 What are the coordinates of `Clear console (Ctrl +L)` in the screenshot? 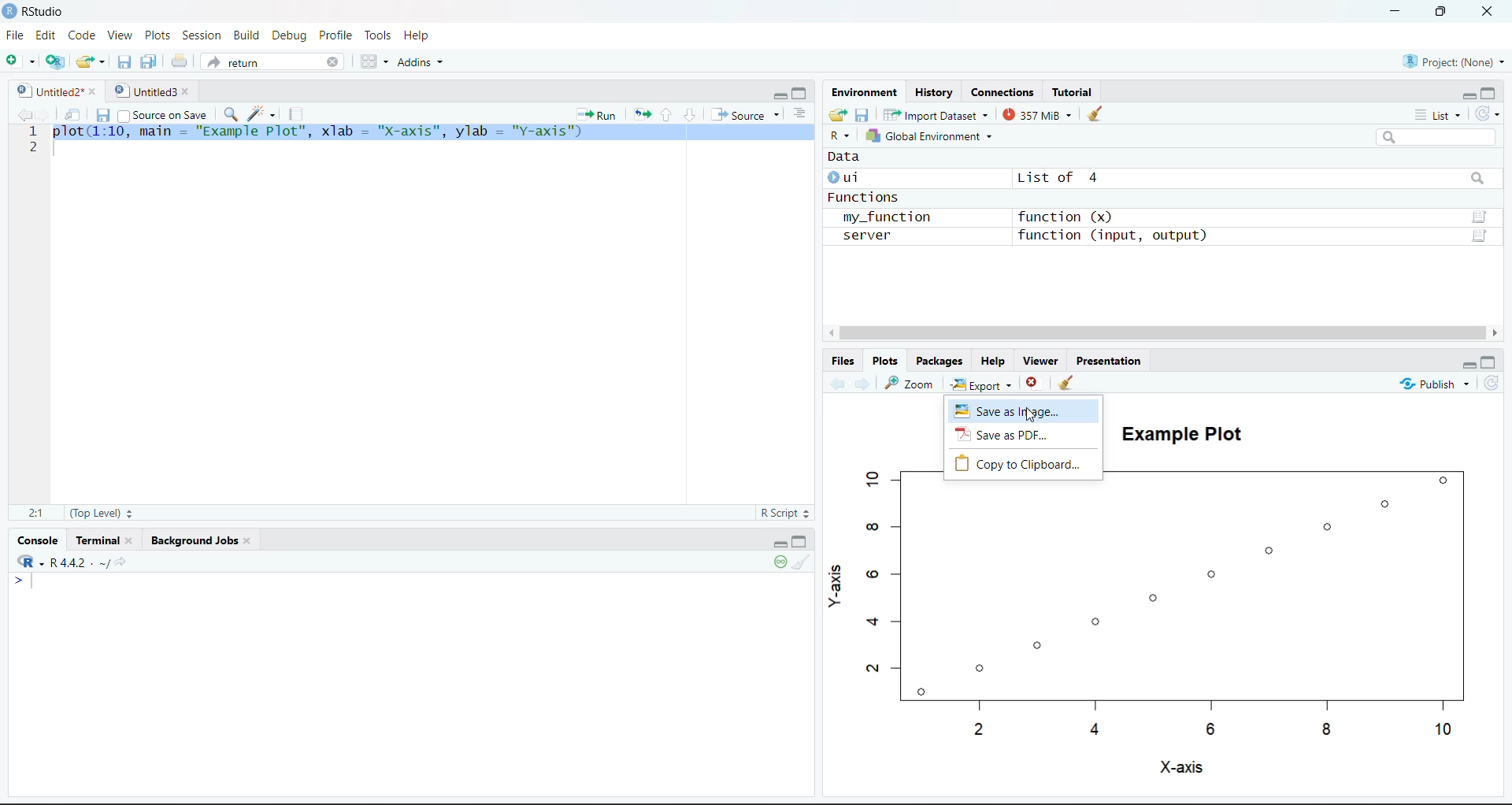 It's located at (802, 563).